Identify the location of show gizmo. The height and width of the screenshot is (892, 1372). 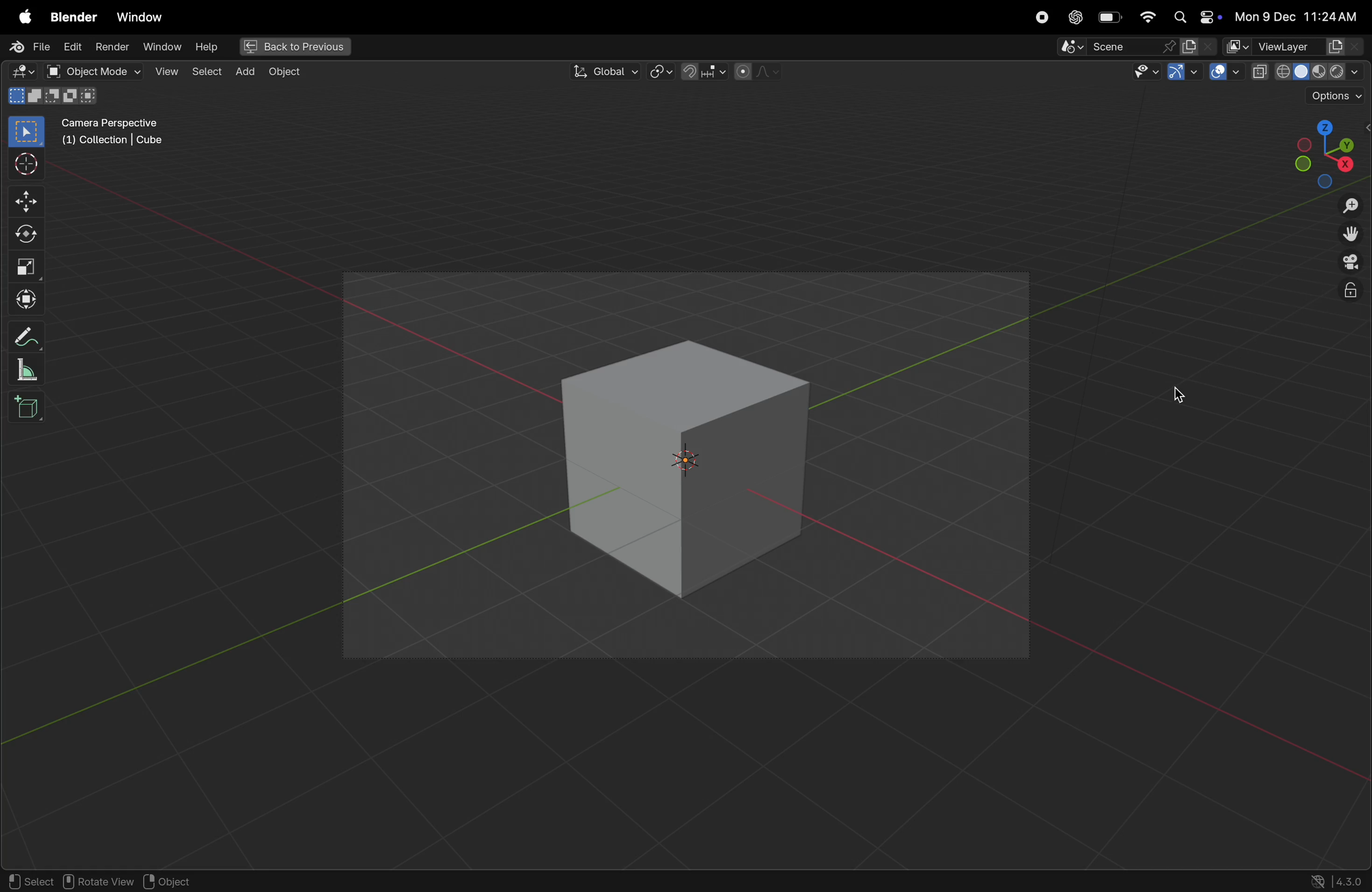
(1183, 71).